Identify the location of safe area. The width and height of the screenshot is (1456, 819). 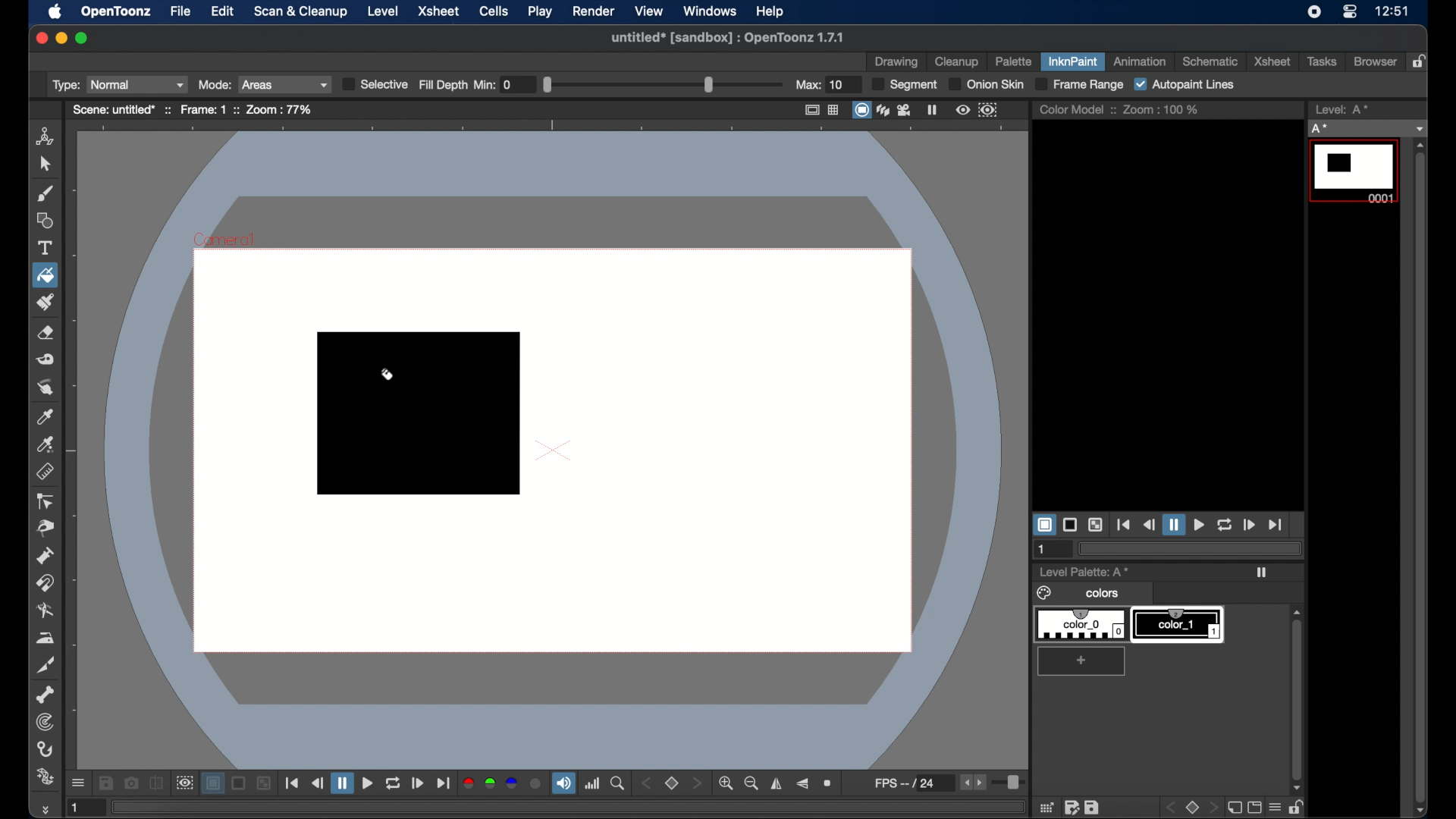
(810, 109).